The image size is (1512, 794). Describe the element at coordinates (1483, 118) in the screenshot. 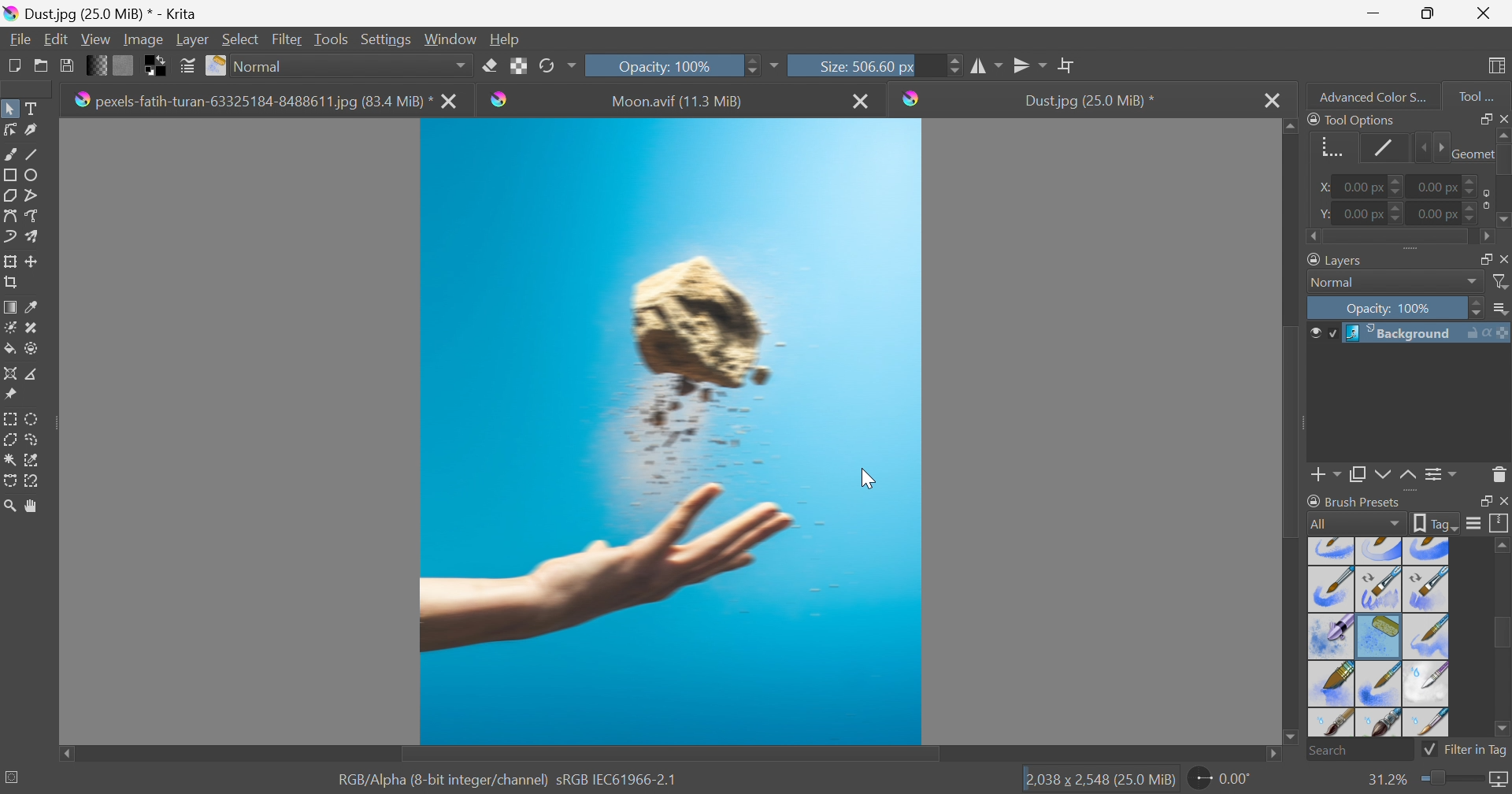

I see `Float Docker` at that location.